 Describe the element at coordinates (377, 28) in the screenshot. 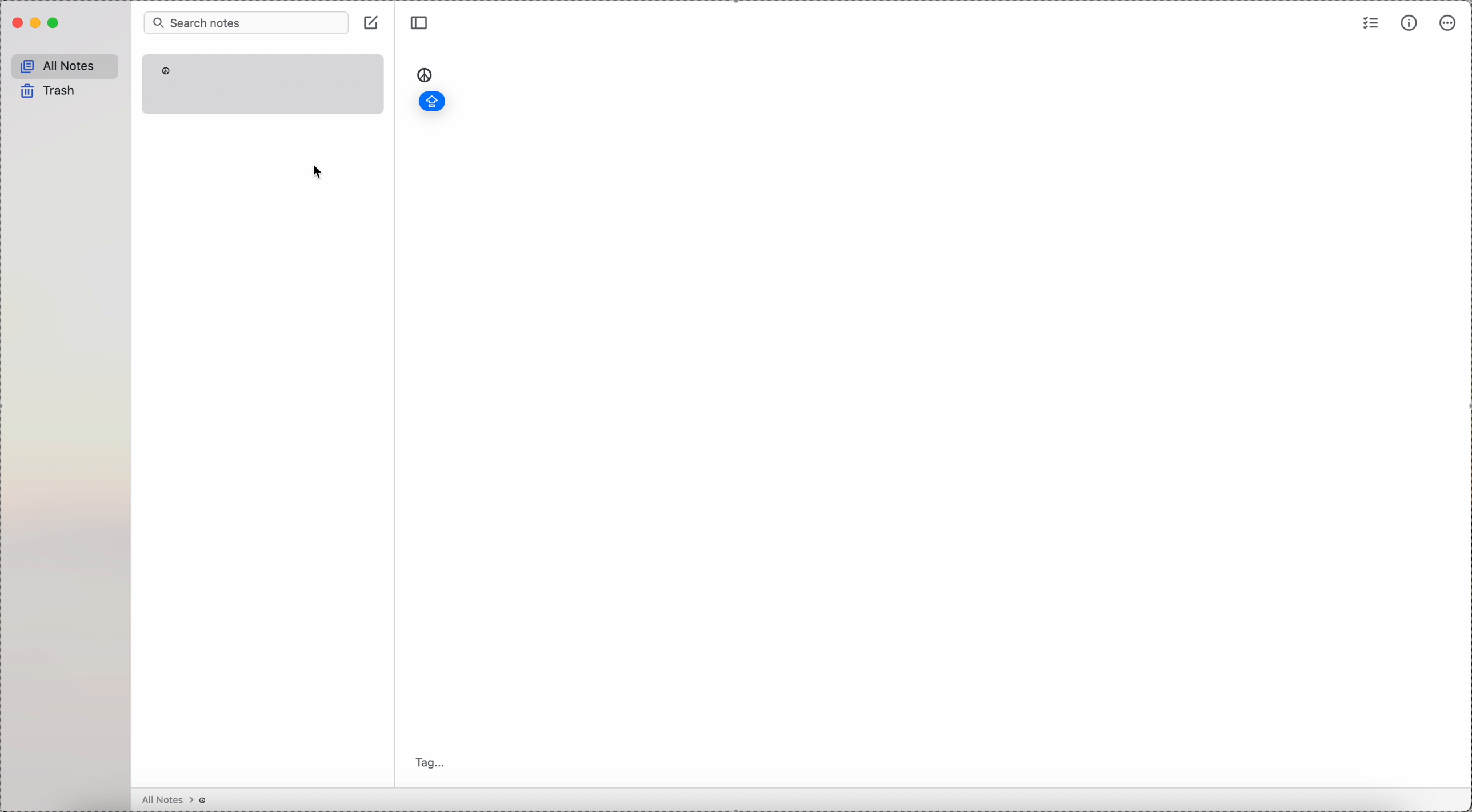

I see `create note` at that location.